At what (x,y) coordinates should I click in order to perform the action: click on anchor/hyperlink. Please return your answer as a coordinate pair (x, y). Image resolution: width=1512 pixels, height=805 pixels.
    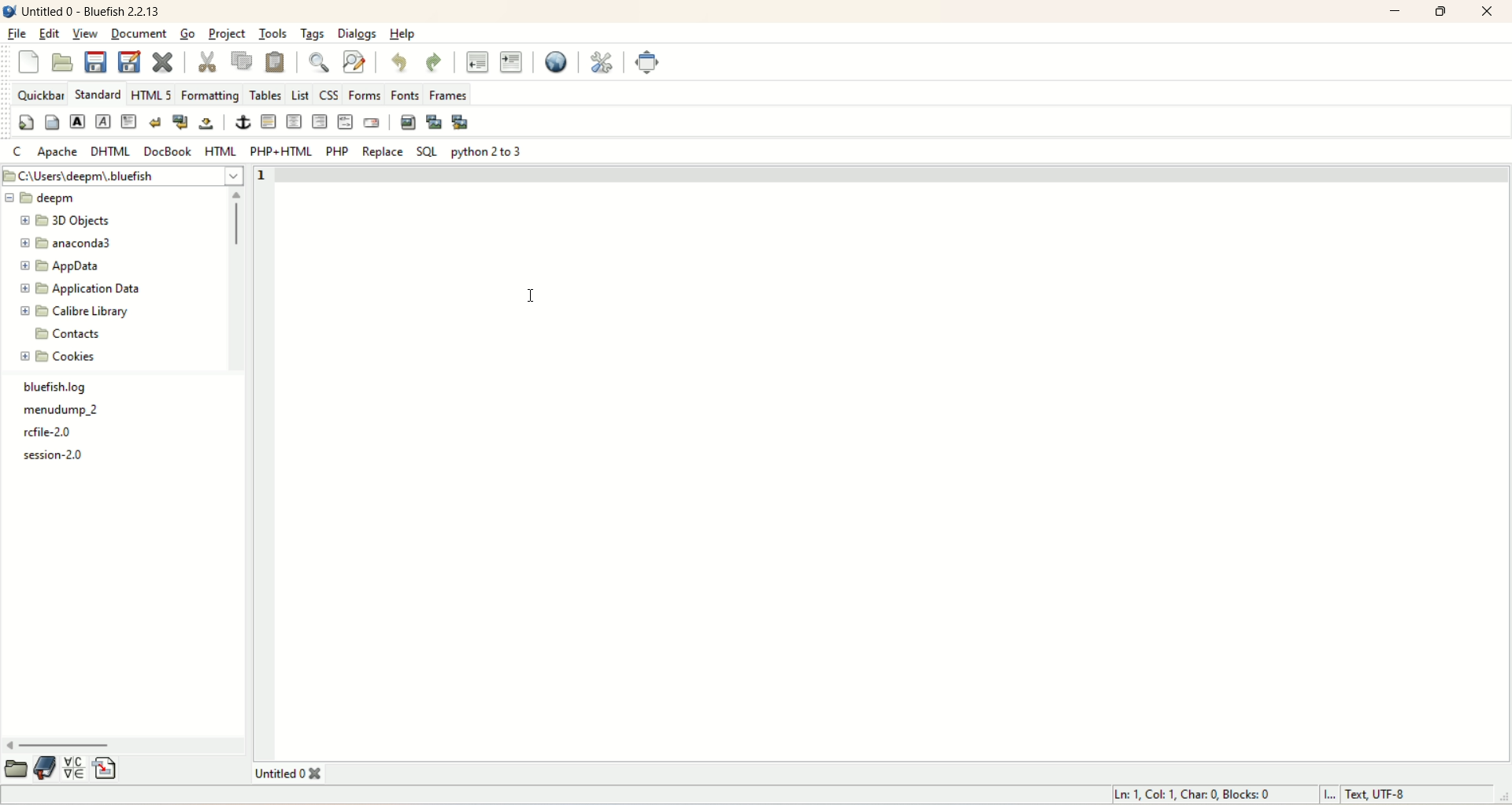
    Looking at the image, I should click on (239, 123).